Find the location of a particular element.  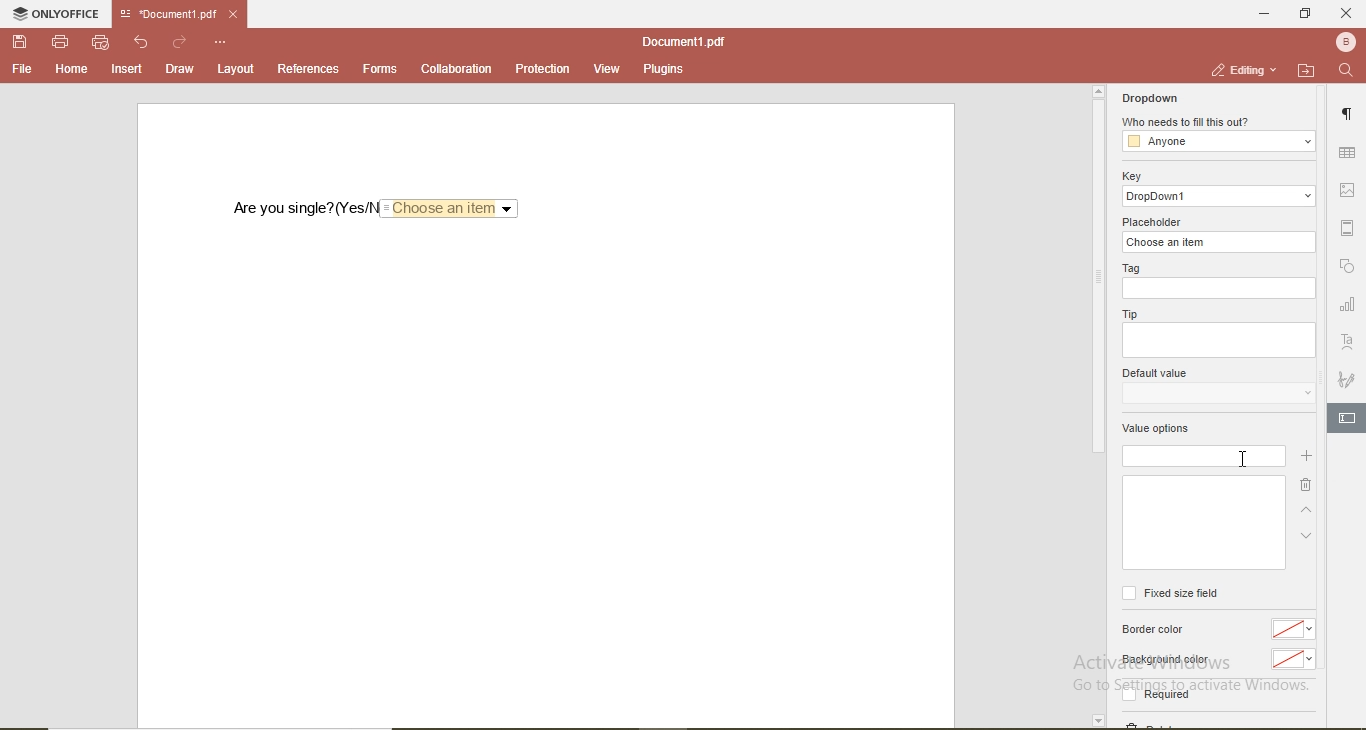

value options is located at coordinates (1166, 430).